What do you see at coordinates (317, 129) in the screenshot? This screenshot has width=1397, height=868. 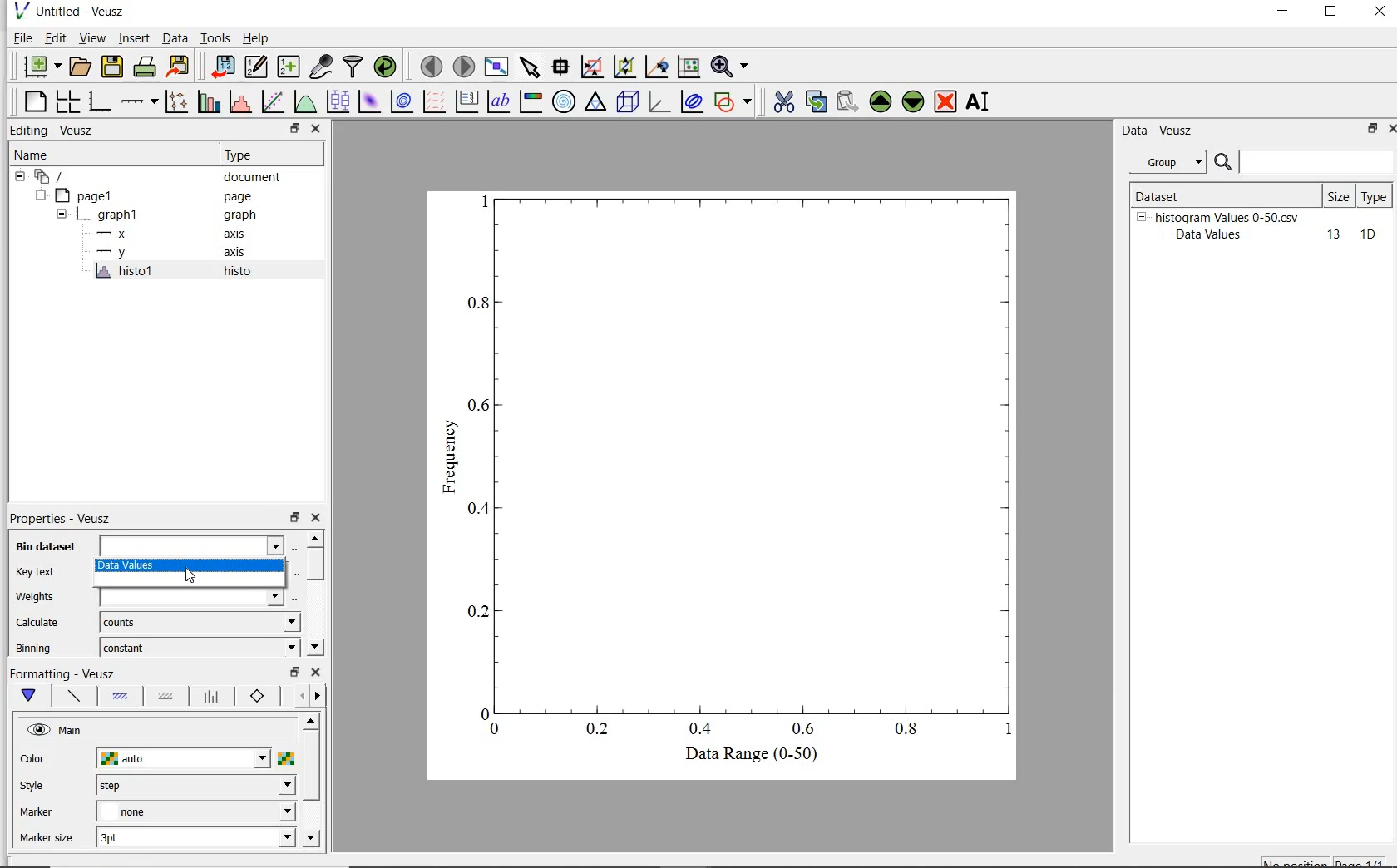 I see `close` at bounding box center [317, 129].